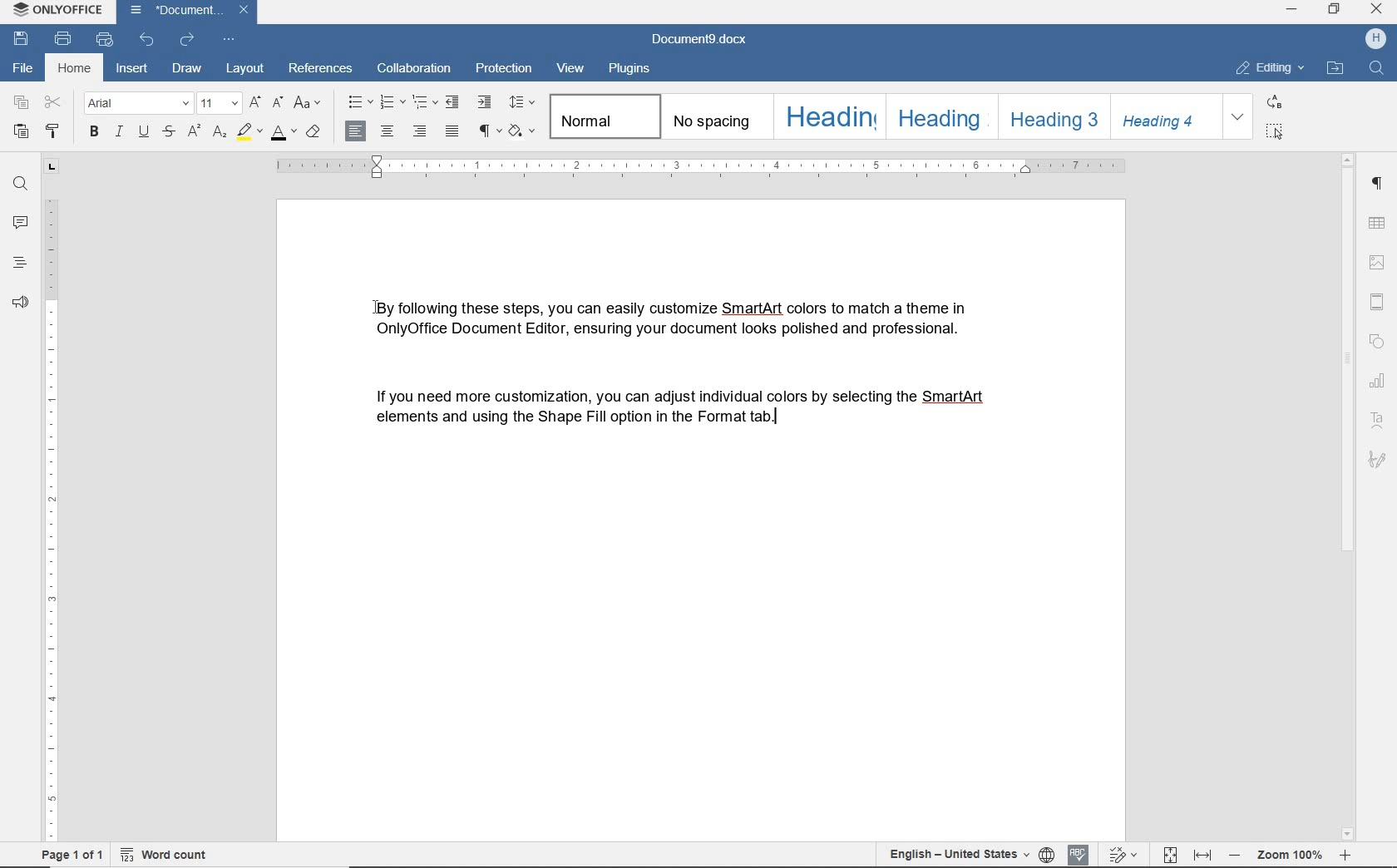 This screenshot has width=1397, height=868. What do you see at coordinates (52, 131) in the screenshot?
I see `copy style` at bounding box center [52, 131].